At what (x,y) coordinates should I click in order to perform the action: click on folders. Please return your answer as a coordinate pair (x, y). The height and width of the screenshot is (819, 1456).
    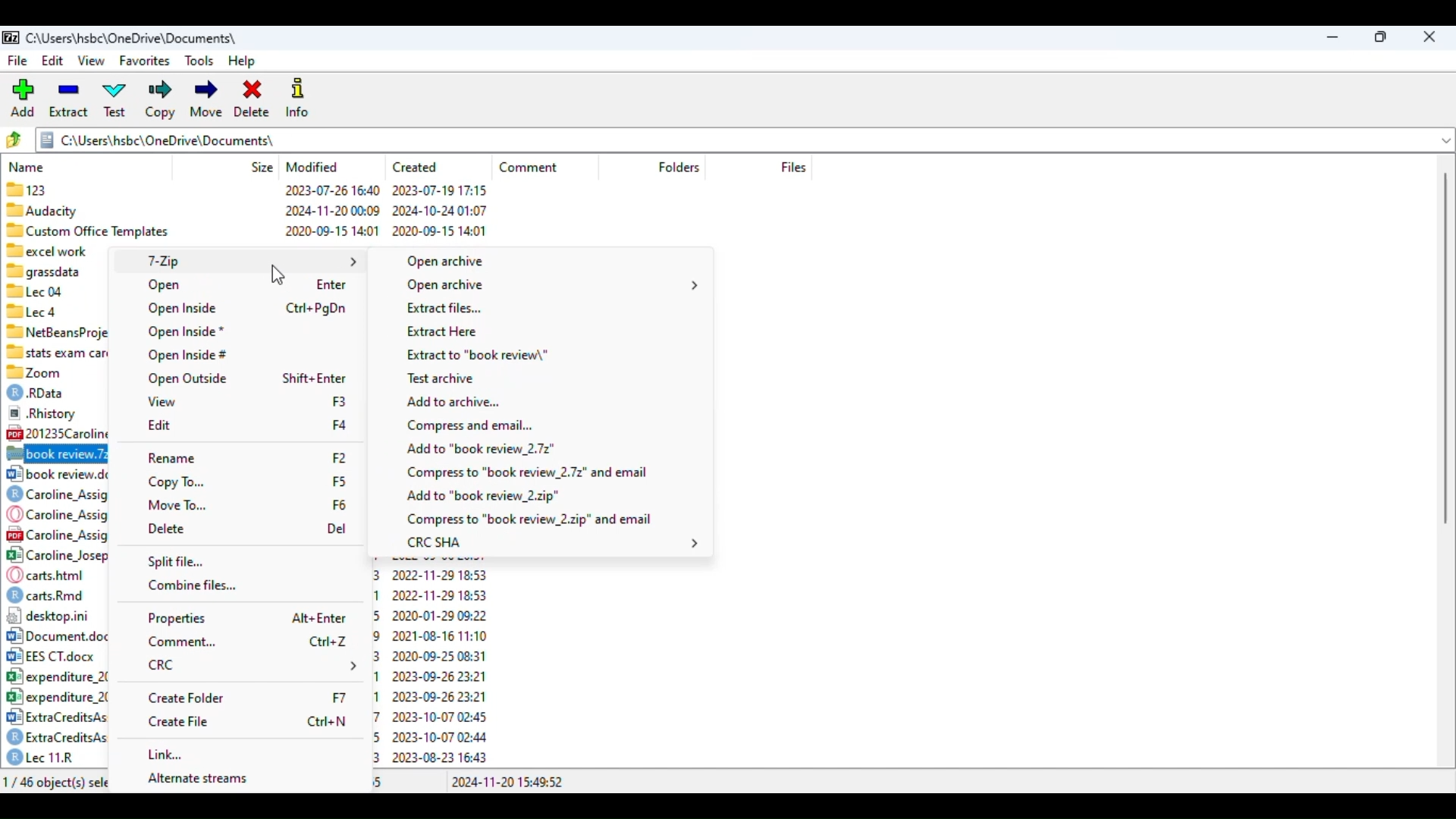
    Looking at the image, I should click on (678, 166).